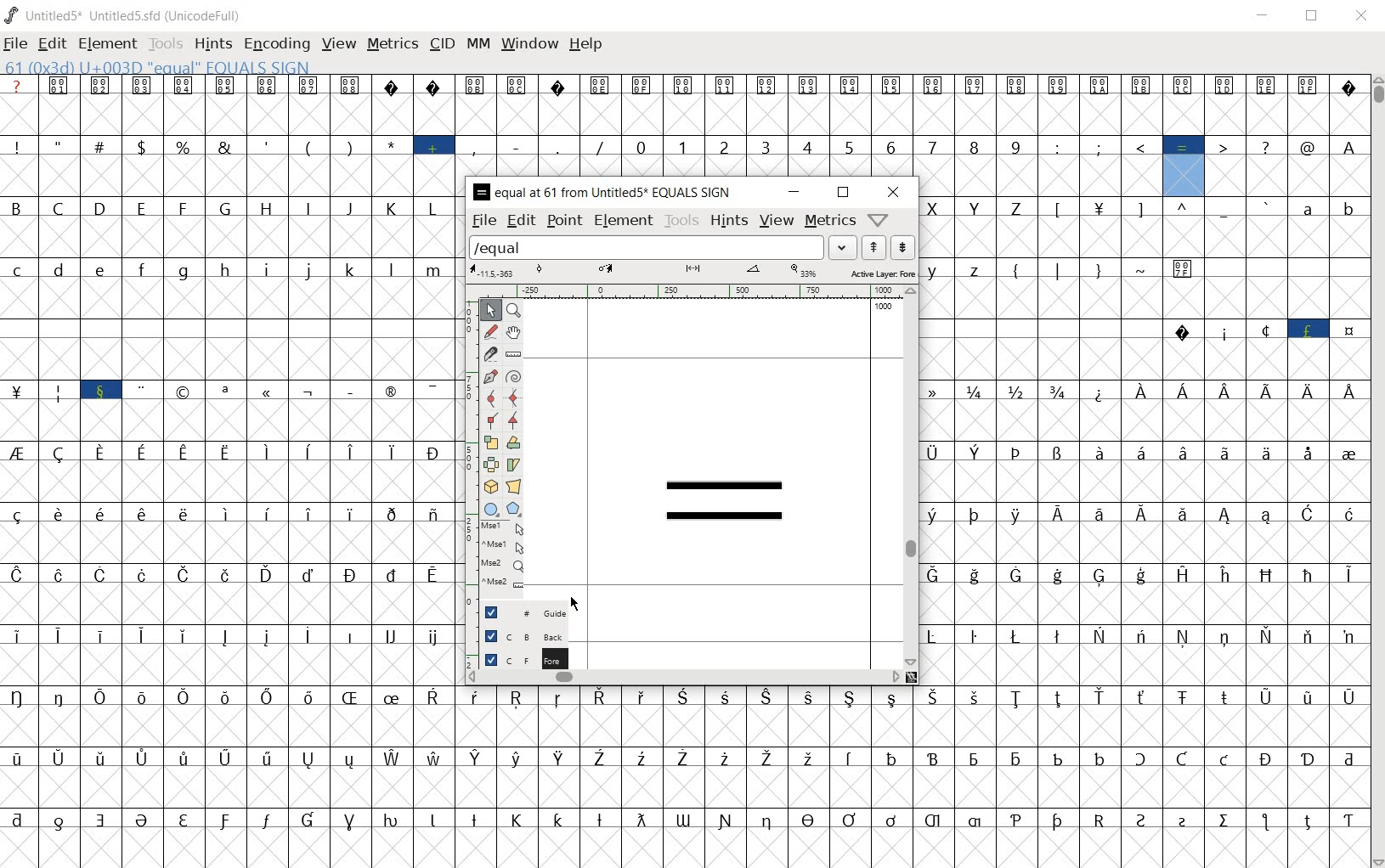  Describe the element at coordinates (229, 464) in the screenshot. I see `glyphs` at that location.